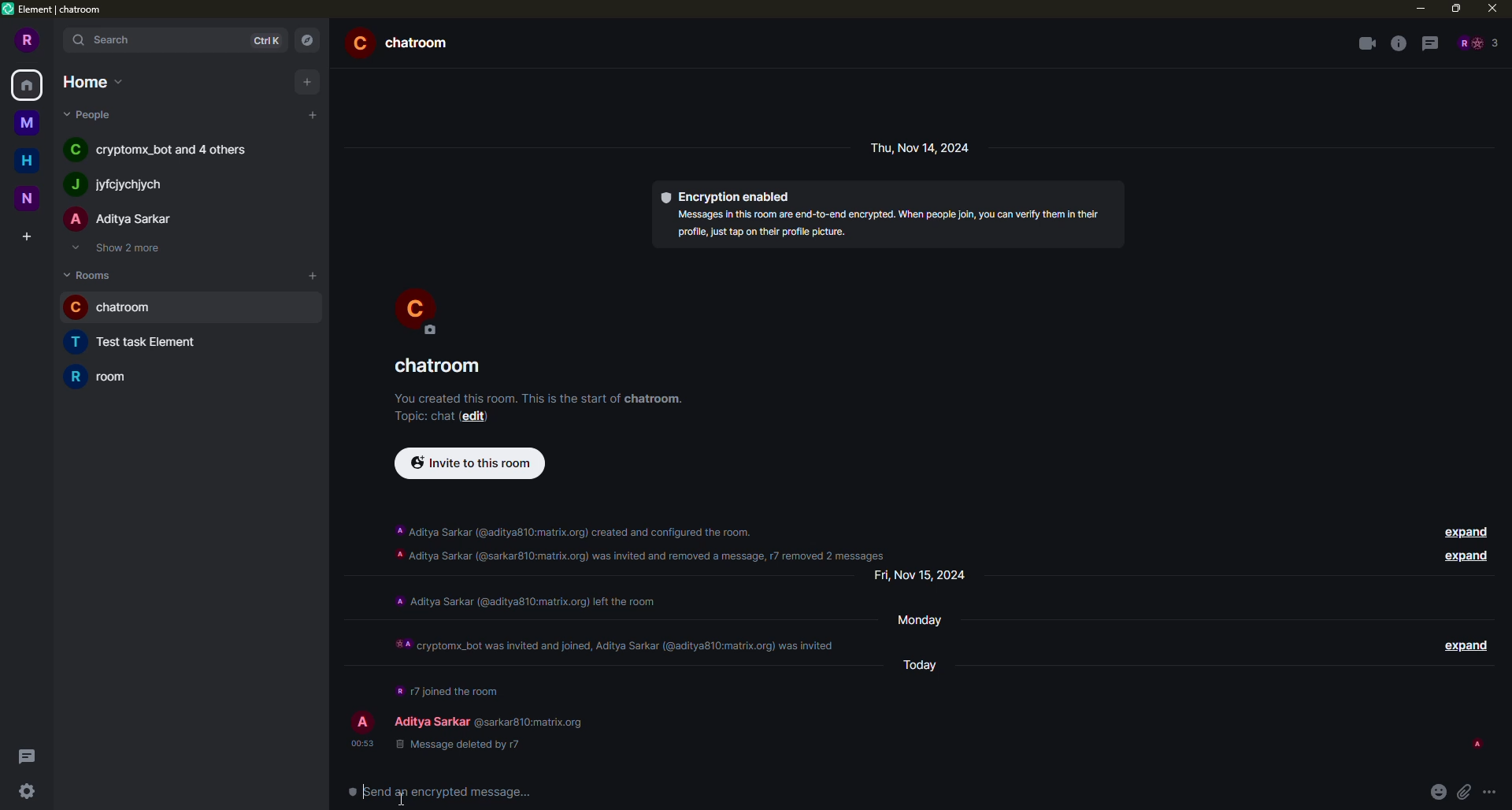  Describe the element at coordinates (28, 39) in the screenshot. I see `profile` at that location.